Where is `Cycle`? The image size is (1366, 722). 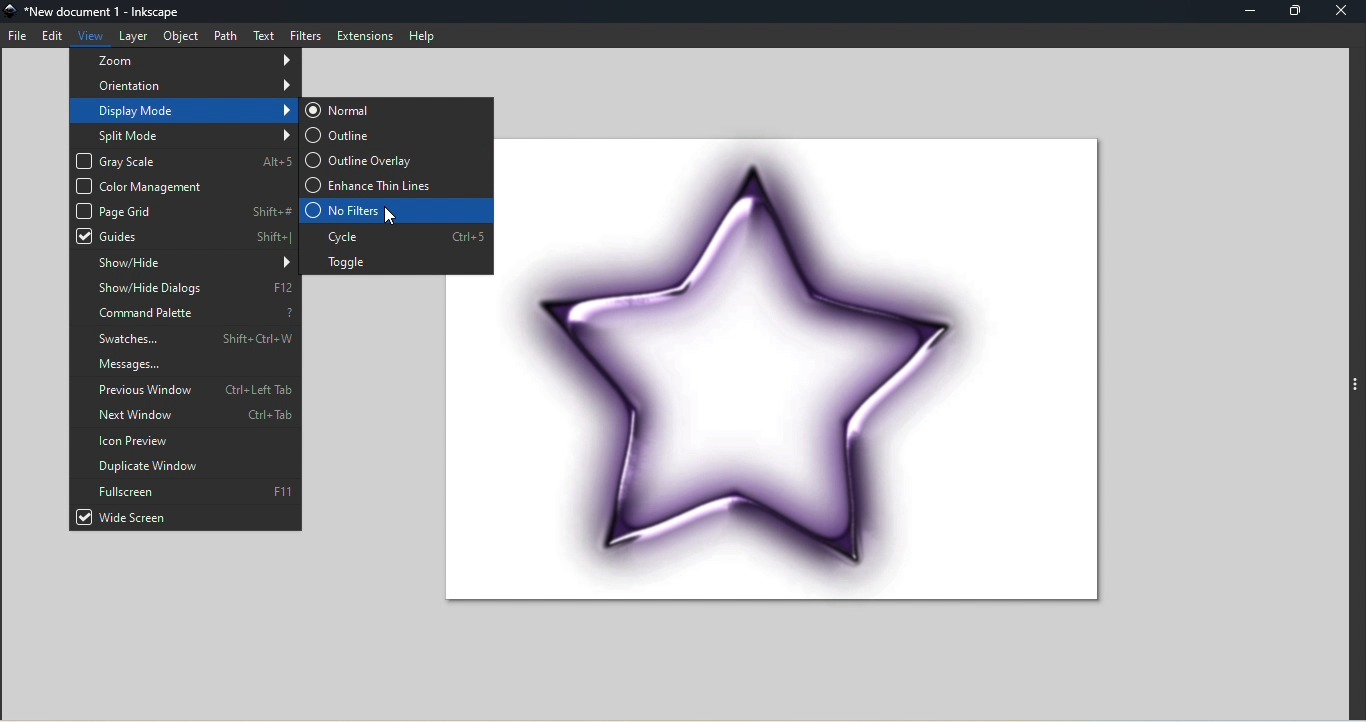 Cycle is located at coordinates (396, 236).